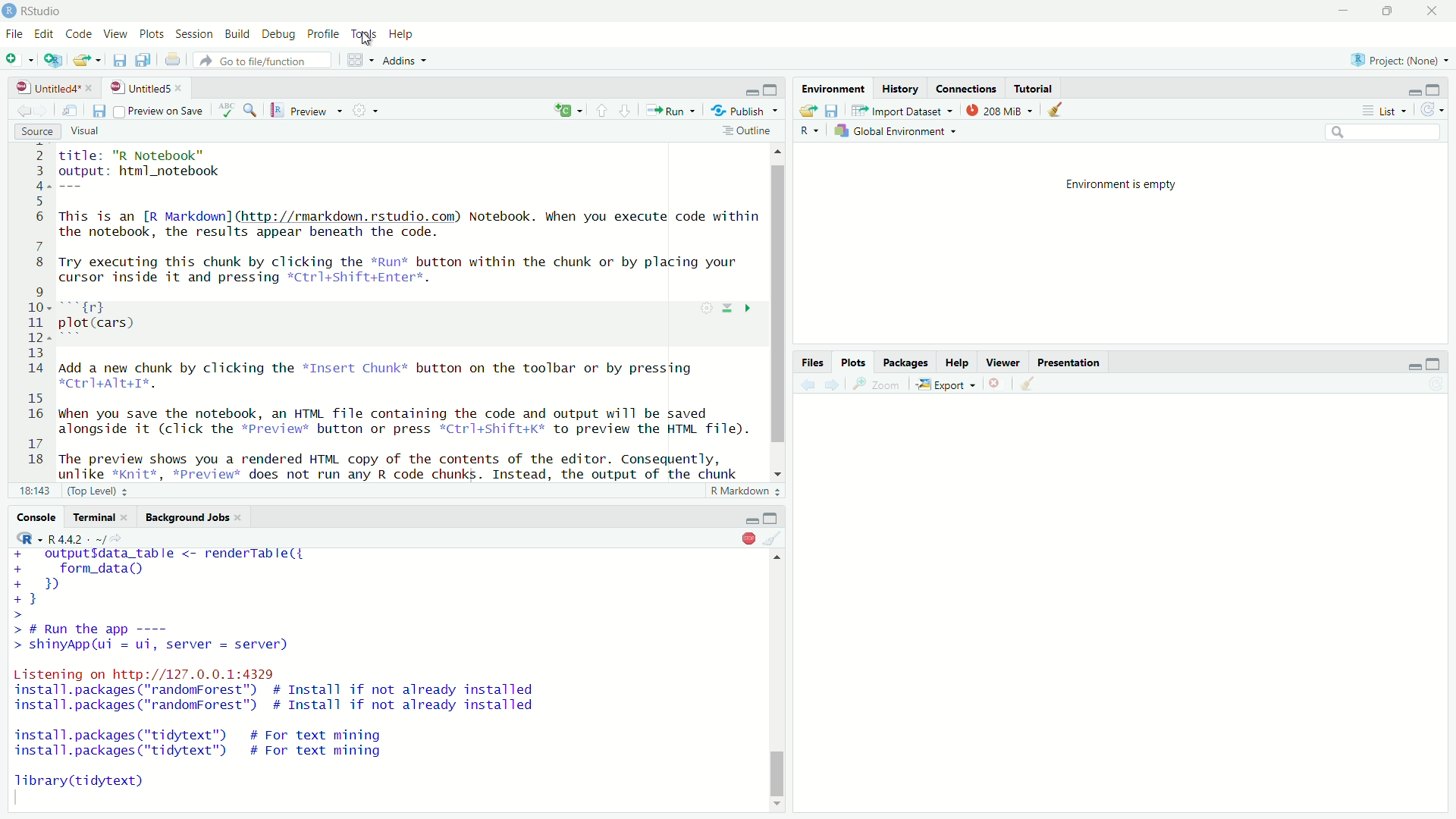  I want to click on Untitled5, so click(138, 88).